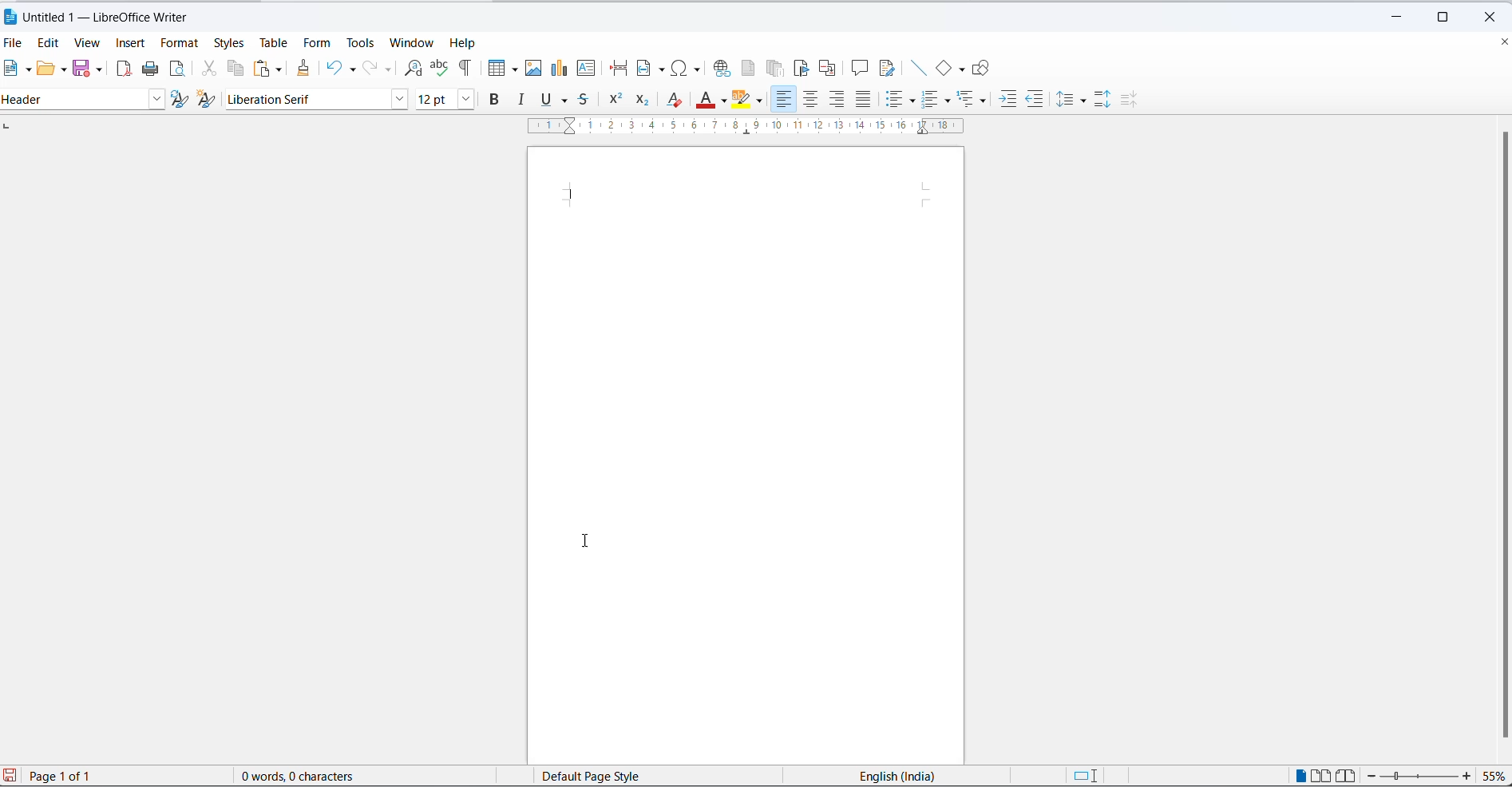 Image resolution: width=1512 pixels, height=787 pixels. I want to click on increase indent, so click(1008, 100).